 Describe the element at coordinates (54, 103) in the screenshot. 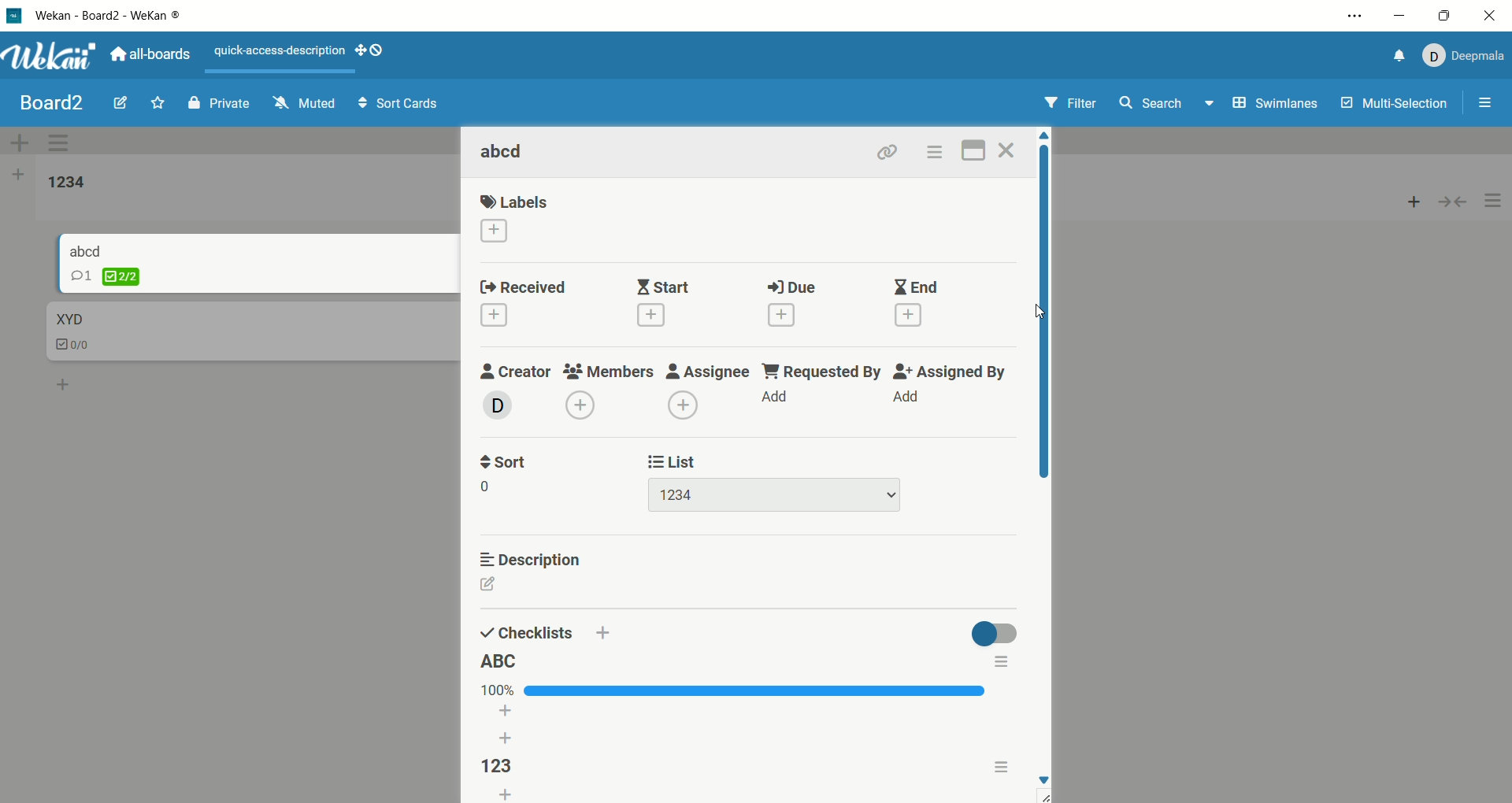

I see `board title` at that location.